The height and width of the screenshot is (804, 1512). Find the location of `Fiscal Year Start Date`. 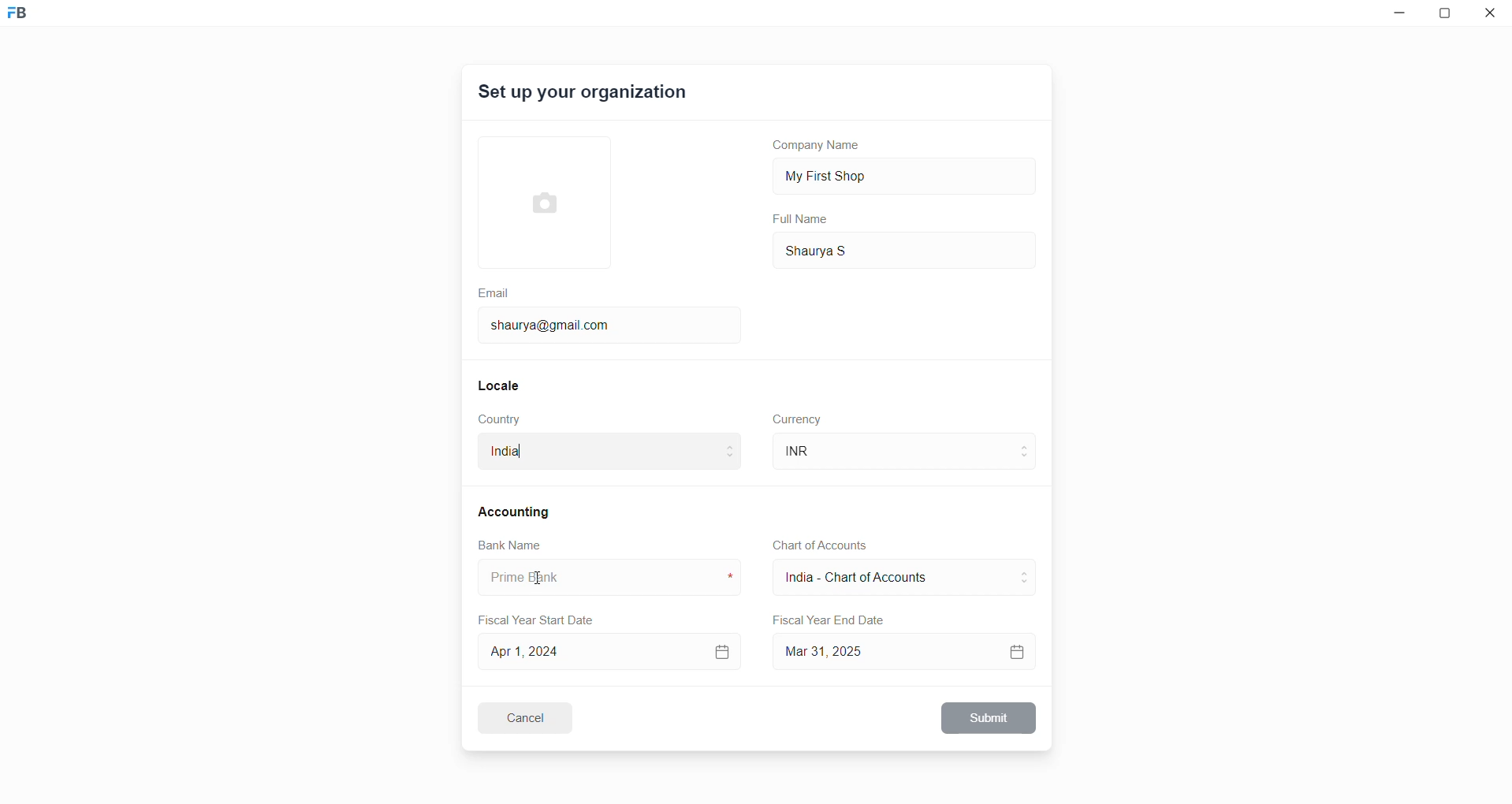

Fiscal Year Start Date is located at coordinates (542, 617).